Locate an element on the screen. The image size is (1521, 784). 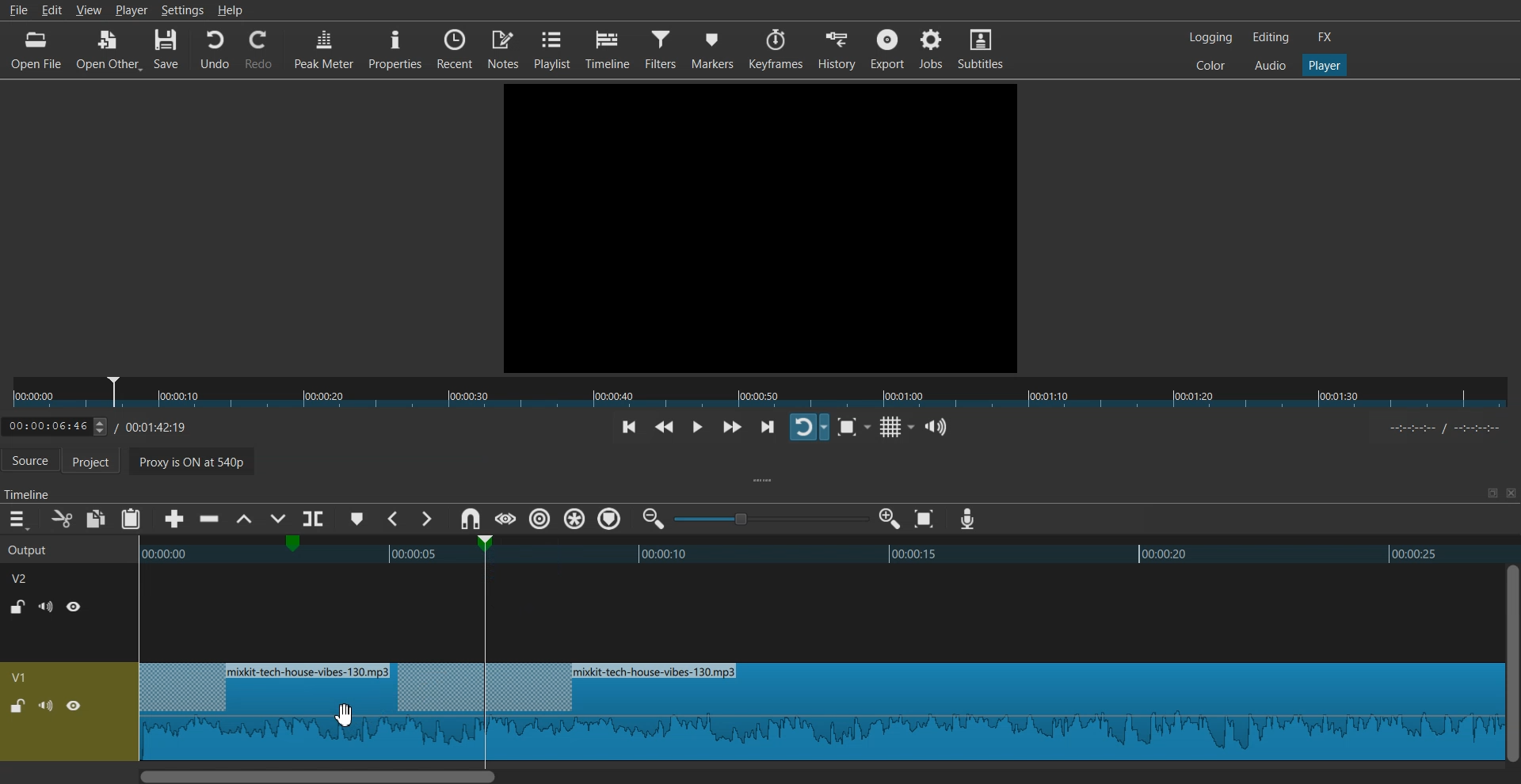
Skip to next point is located at coordinates (769, 428).